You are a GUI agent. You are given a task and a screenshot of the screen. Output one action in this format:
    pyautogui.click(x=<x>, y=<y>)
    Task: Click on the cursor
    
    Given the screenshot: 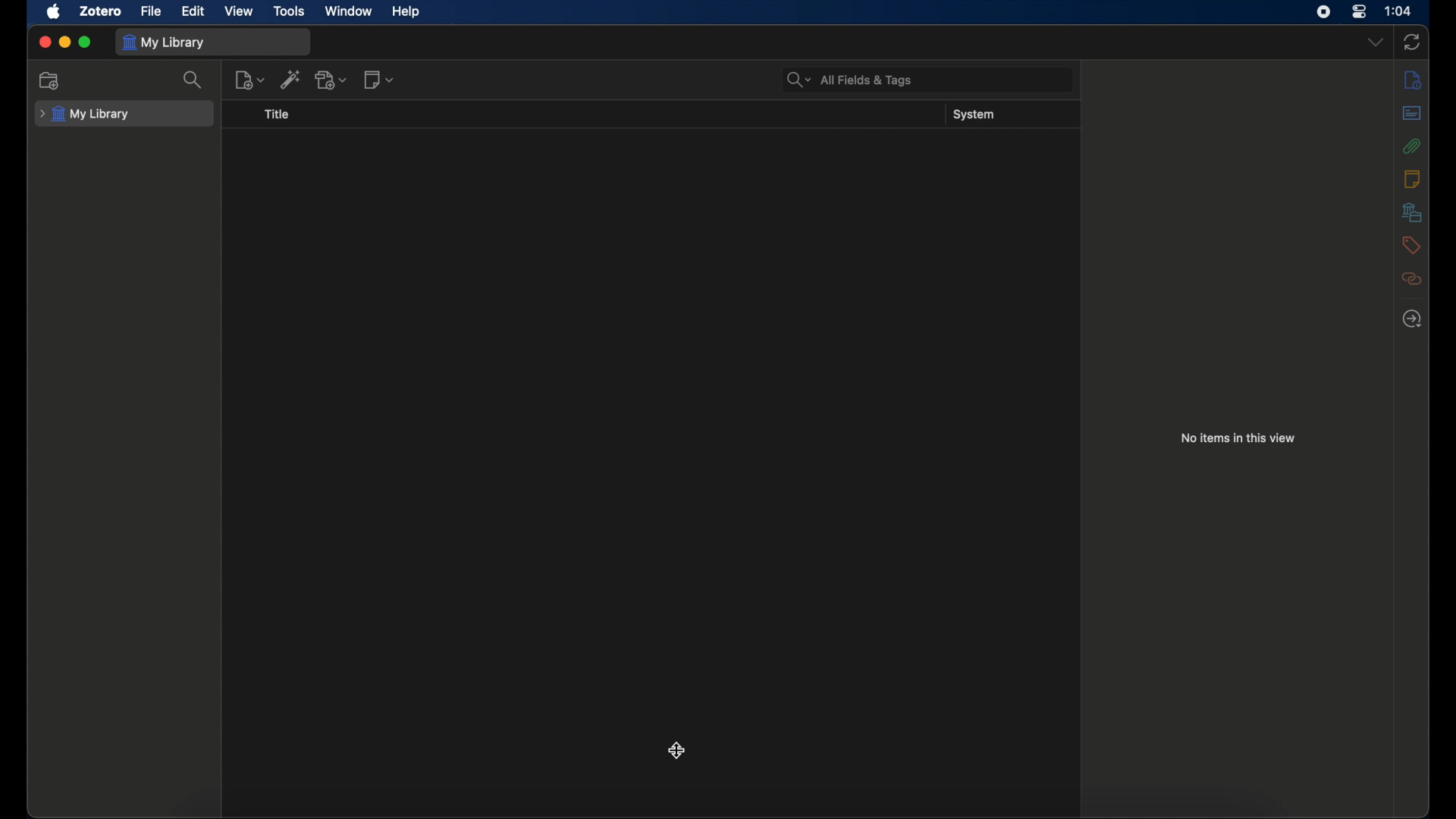 What is the action you would take?
    pyautogui.click(x=677, y=749)
    